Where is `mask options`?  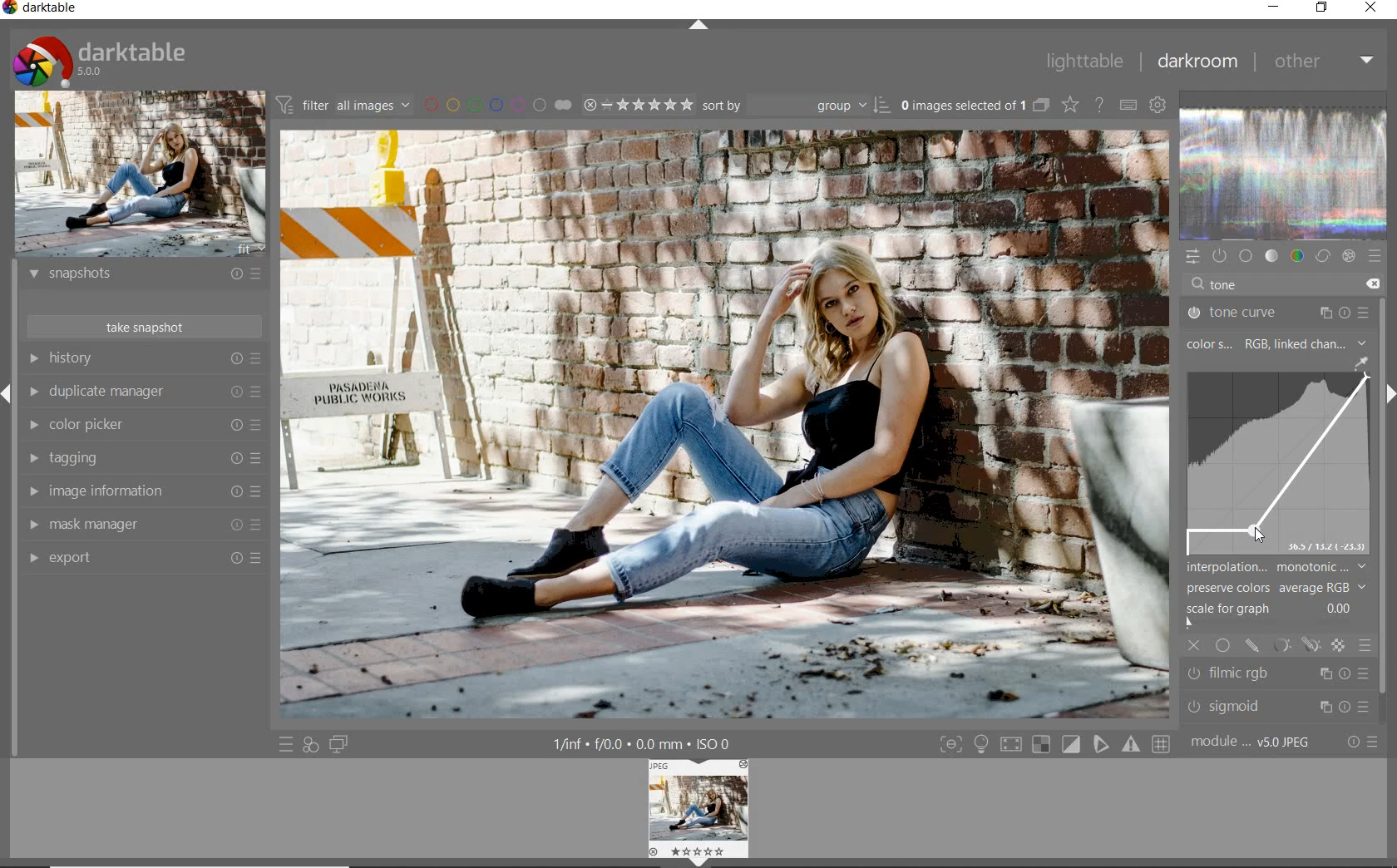 mask options is located at coordinates (1294, 646).